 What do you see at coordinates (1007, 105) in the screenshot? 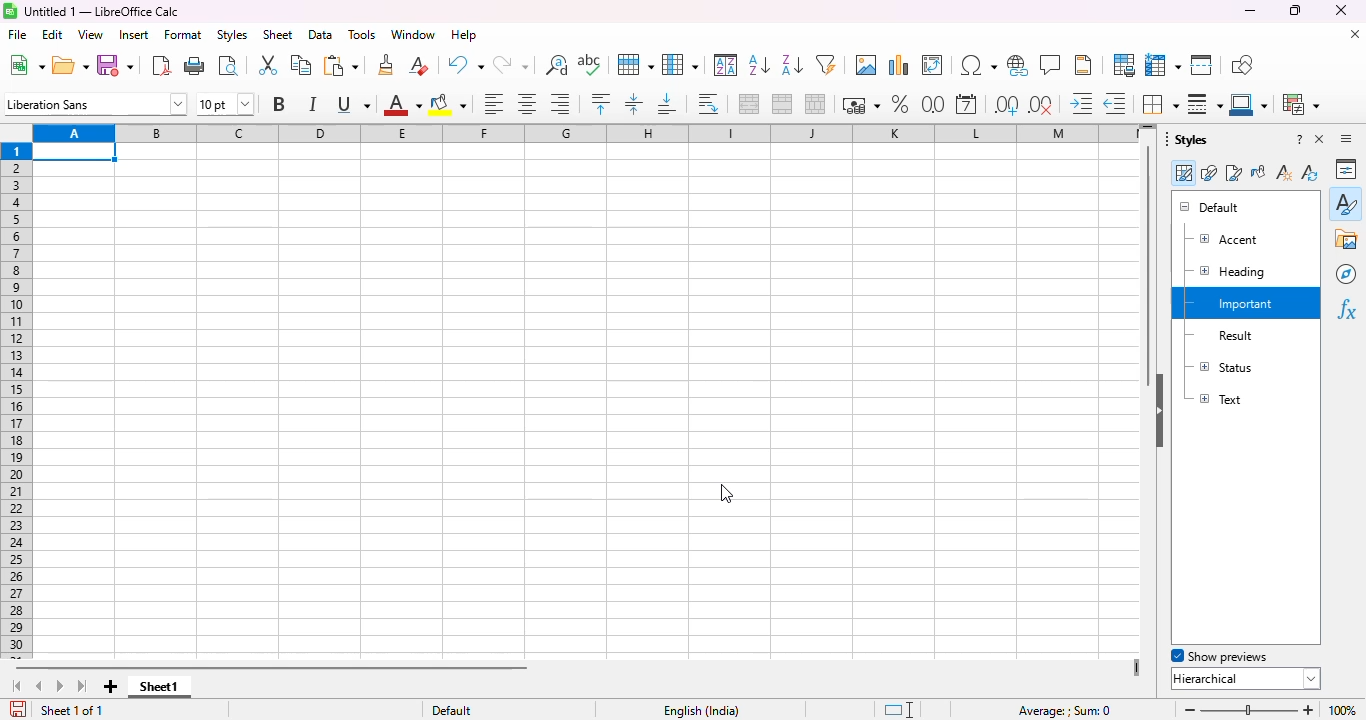
I see `add decimal` at bounding box center [1007, 105].